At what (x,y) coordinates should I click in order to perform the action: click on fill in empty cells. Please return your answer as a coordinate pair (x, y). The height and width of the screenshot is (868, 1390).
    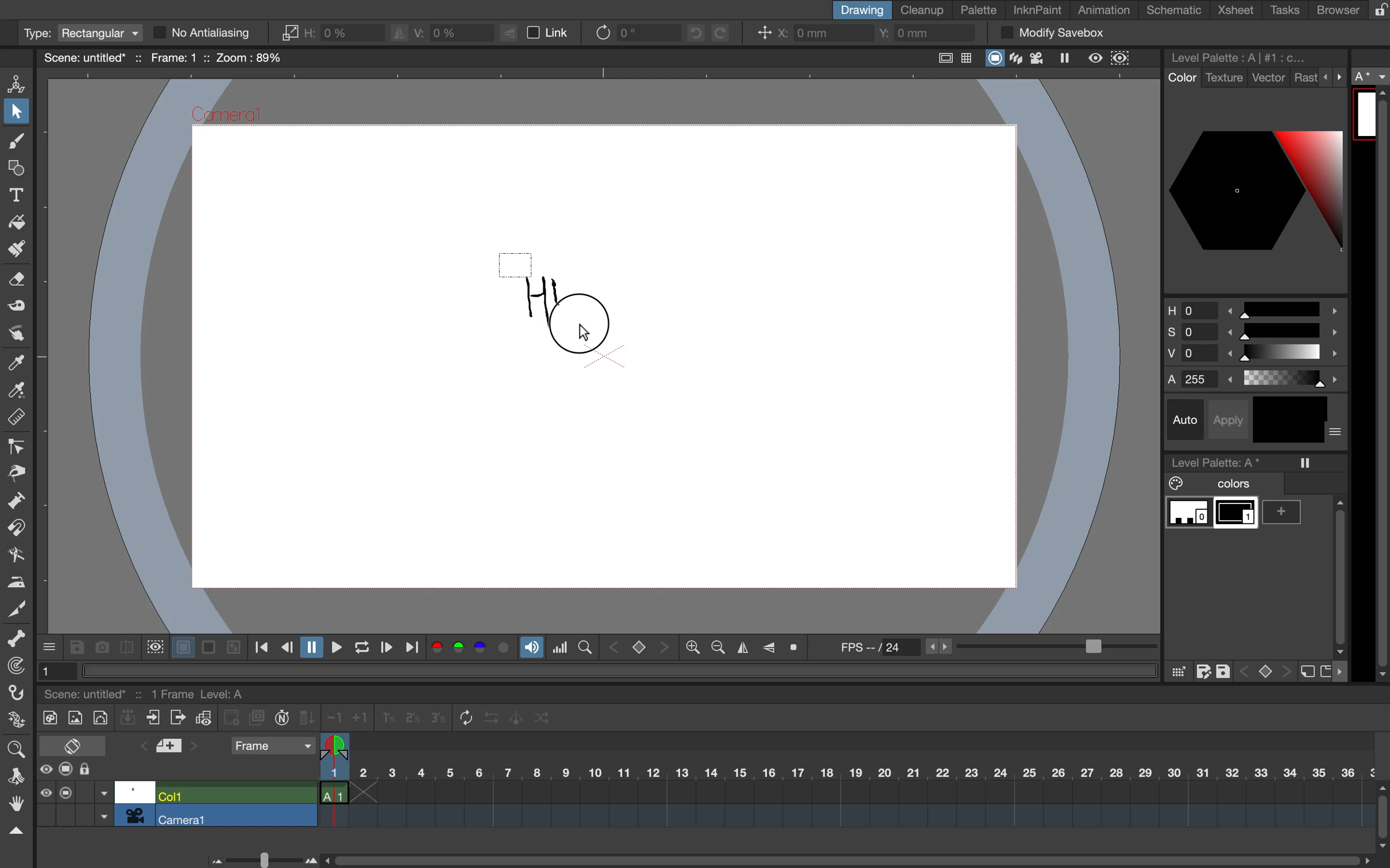
    Looking at the image, I should click on (308, 718).